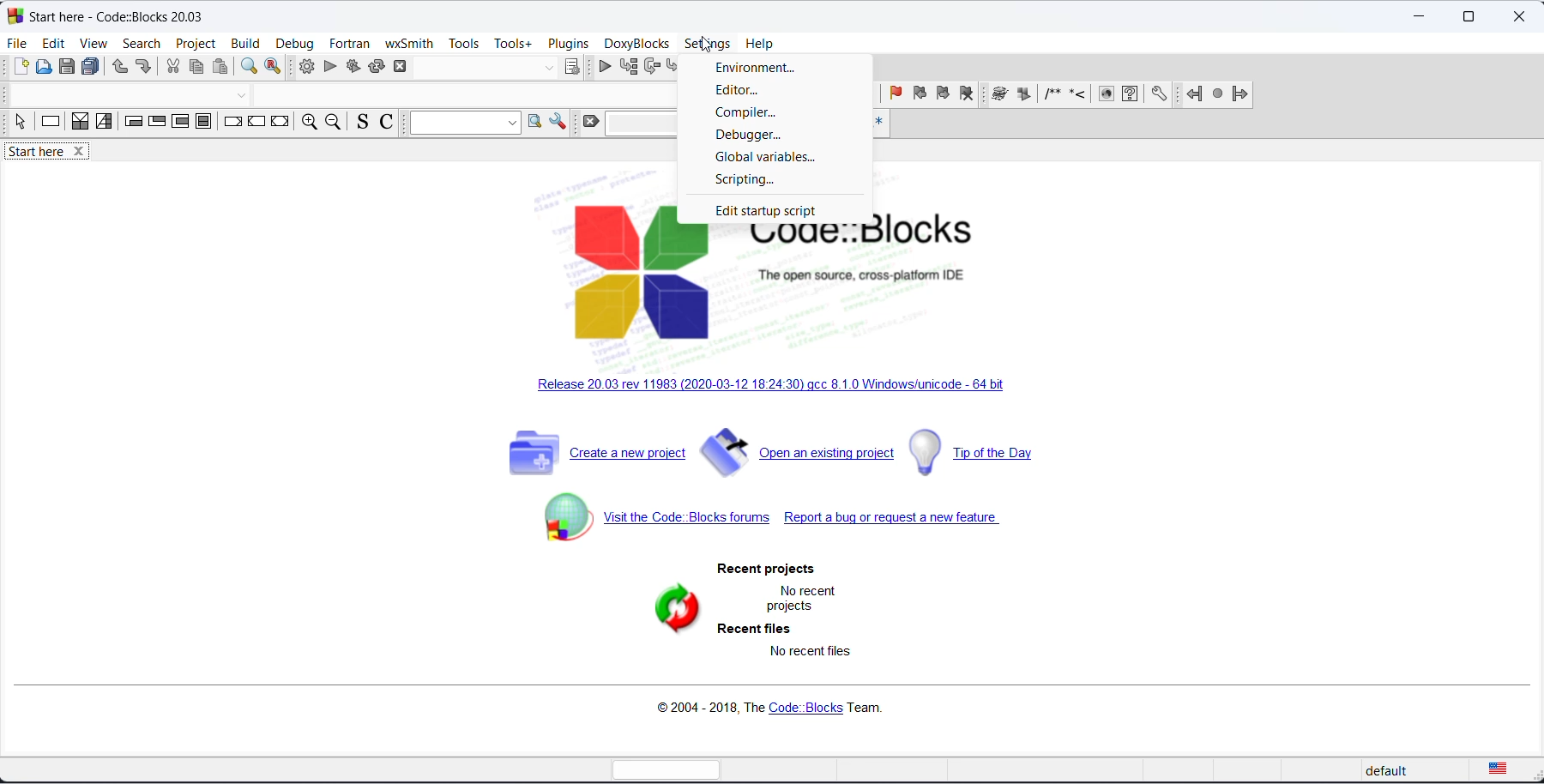 Image resolution: width=1544 pixels, height=784 pixels. What do you see at coordinates (1394, 772) in the screenshot?
I see `default` at bounding box center [1394, 772].